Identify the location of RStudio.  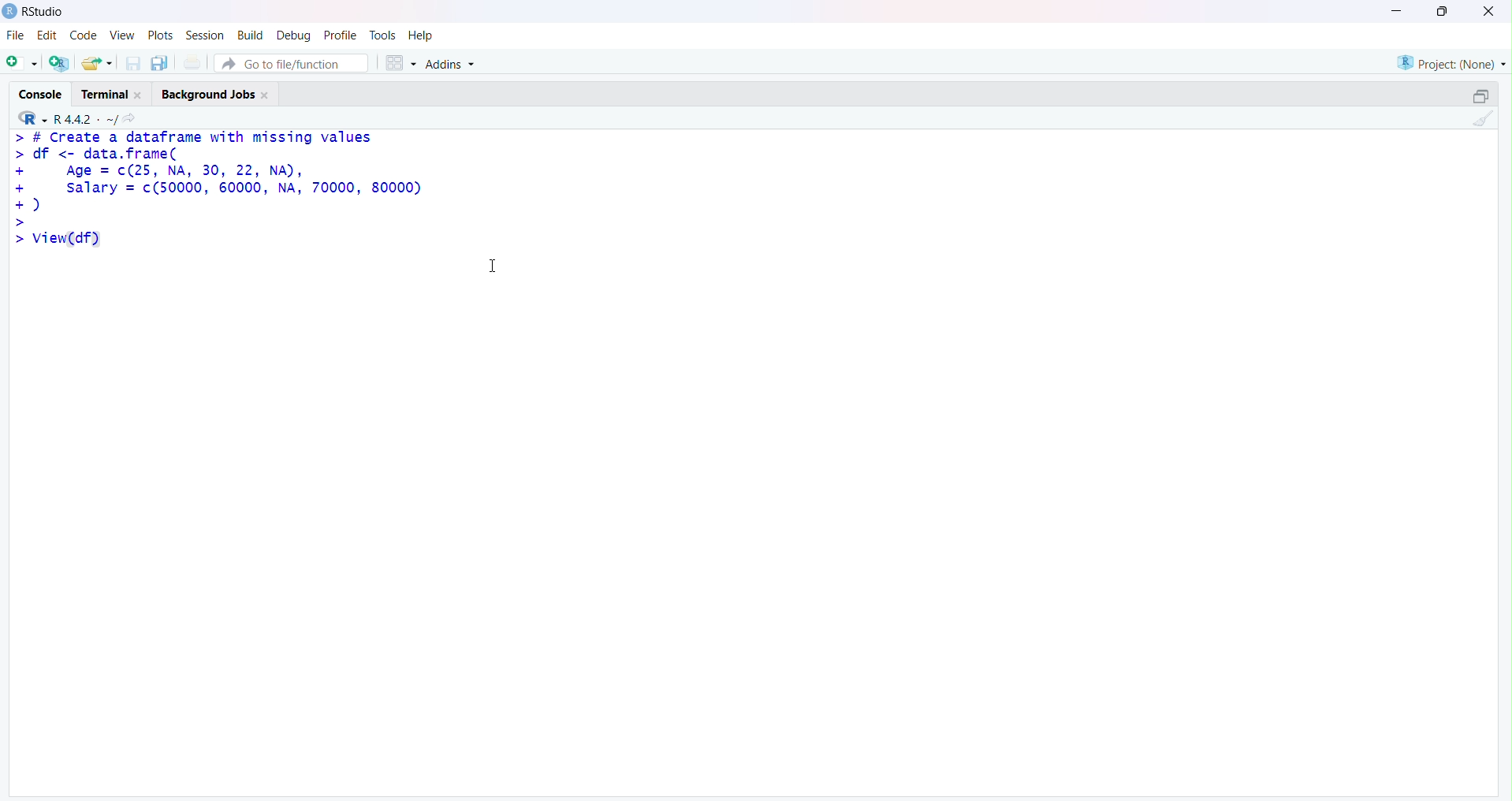
(42, 12).